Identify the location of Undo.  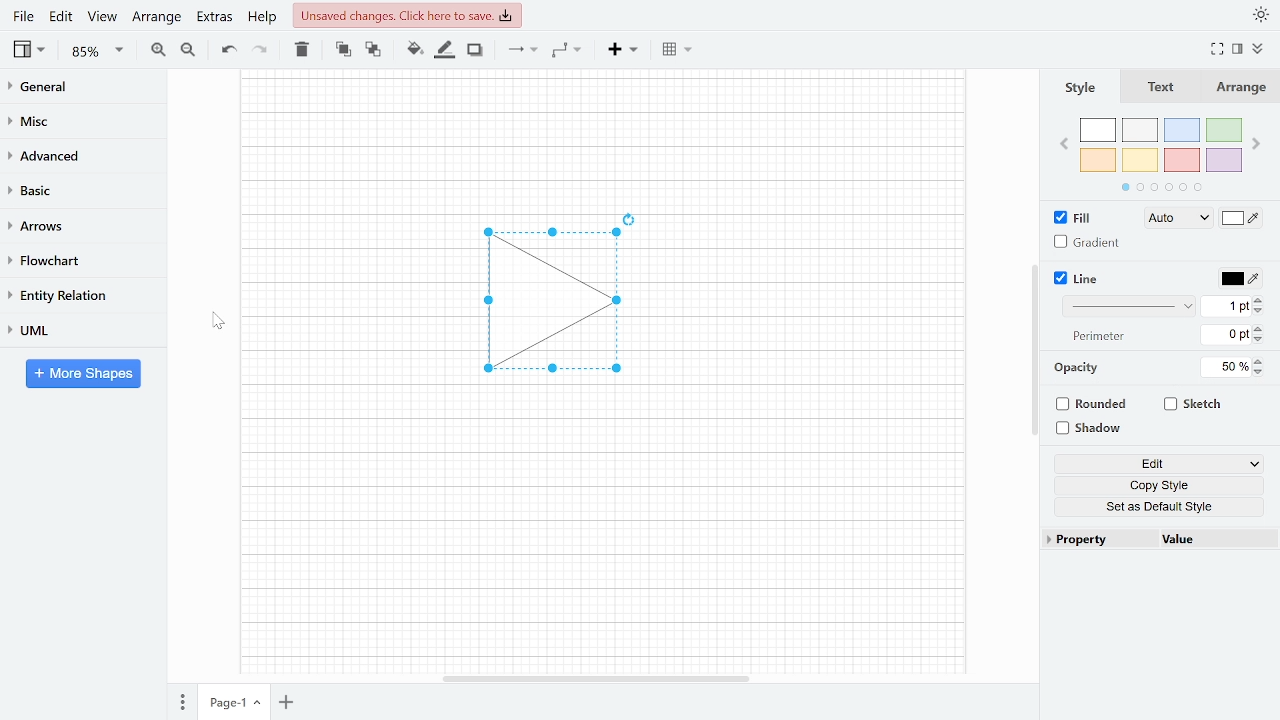
(228, 50).